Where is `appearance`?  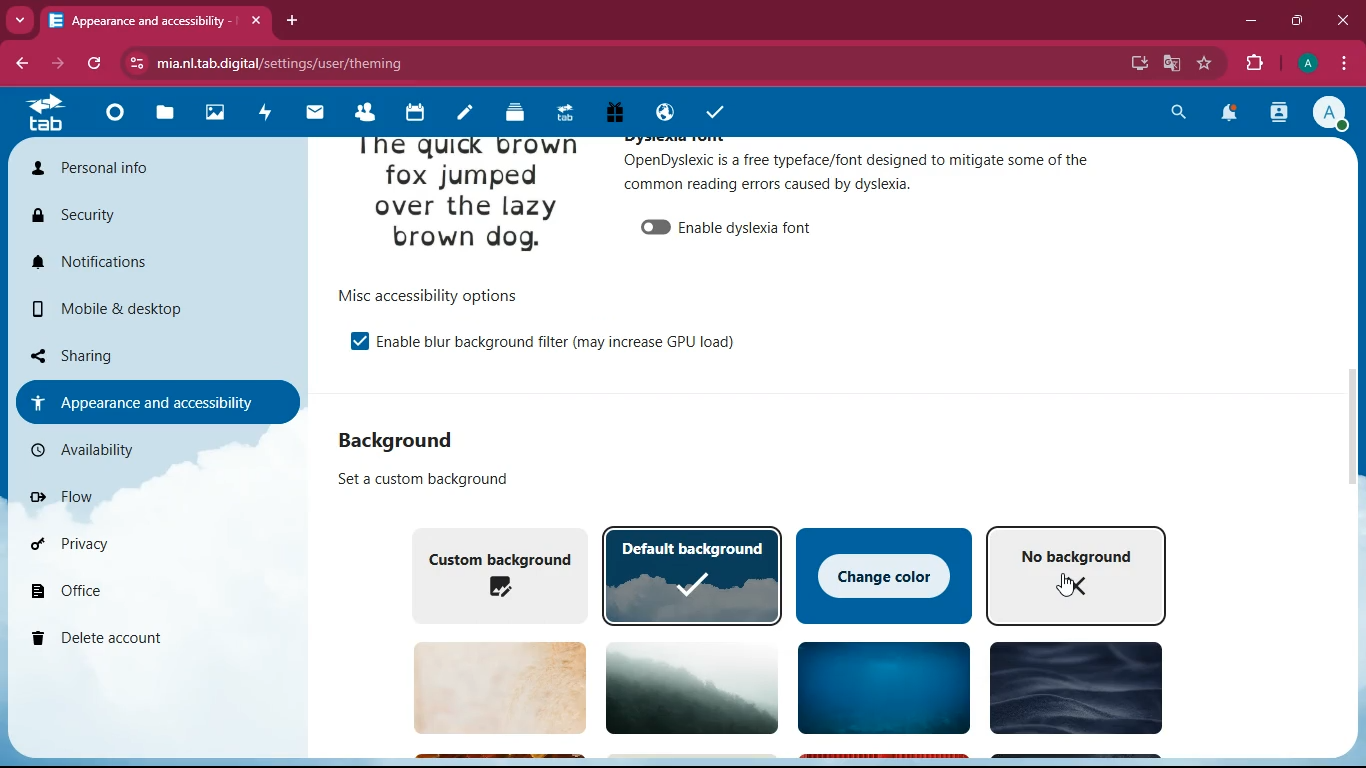 appearance is located at coordinates (155, 401).